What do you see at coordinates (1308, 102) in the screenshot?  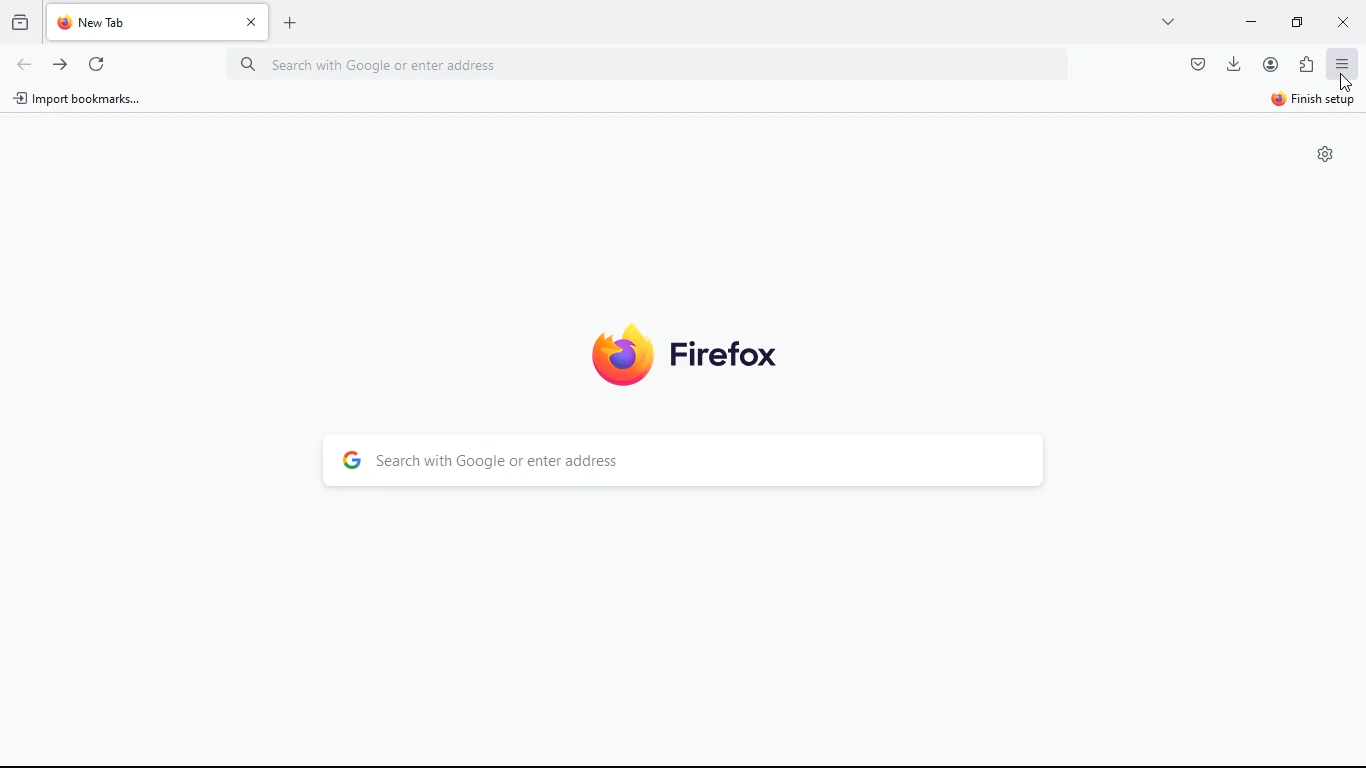 I see `finish setup` at bounding box center [1308, 102].